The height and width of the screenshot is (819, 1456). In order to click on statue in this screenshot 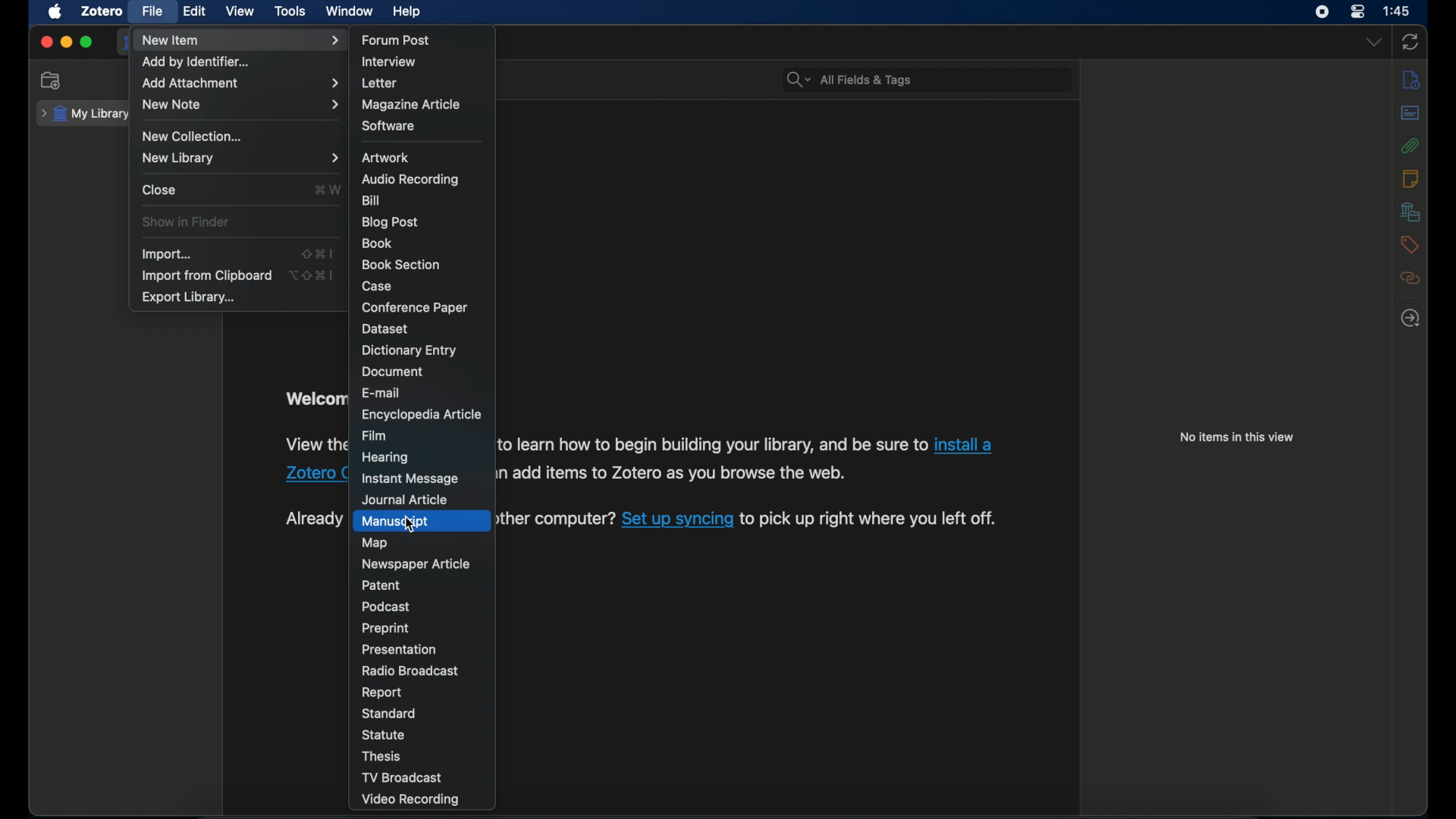, I will do `click(384, 735)`.